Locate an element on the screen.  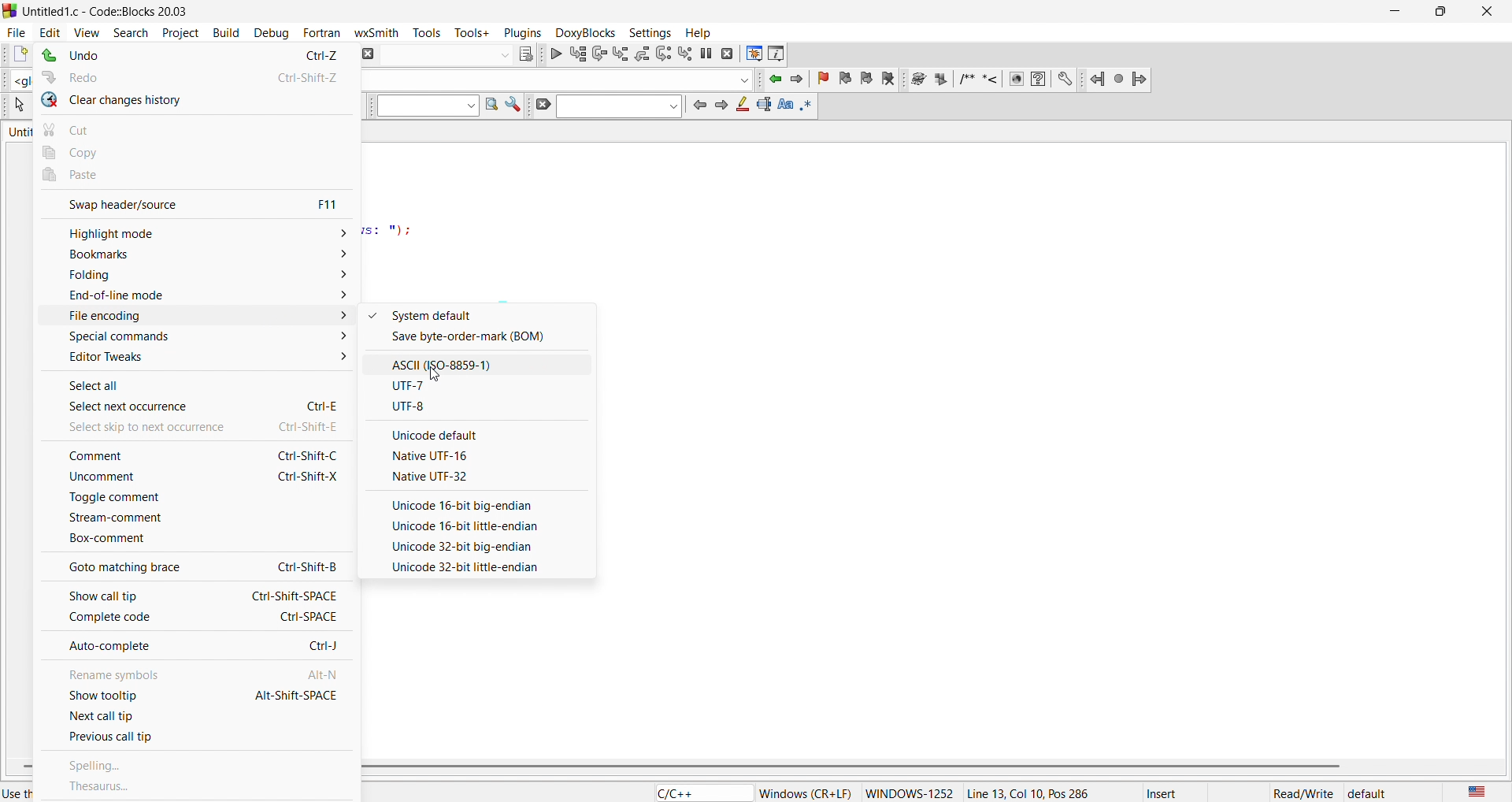
rename symbols is located at coordinates (198, 674).